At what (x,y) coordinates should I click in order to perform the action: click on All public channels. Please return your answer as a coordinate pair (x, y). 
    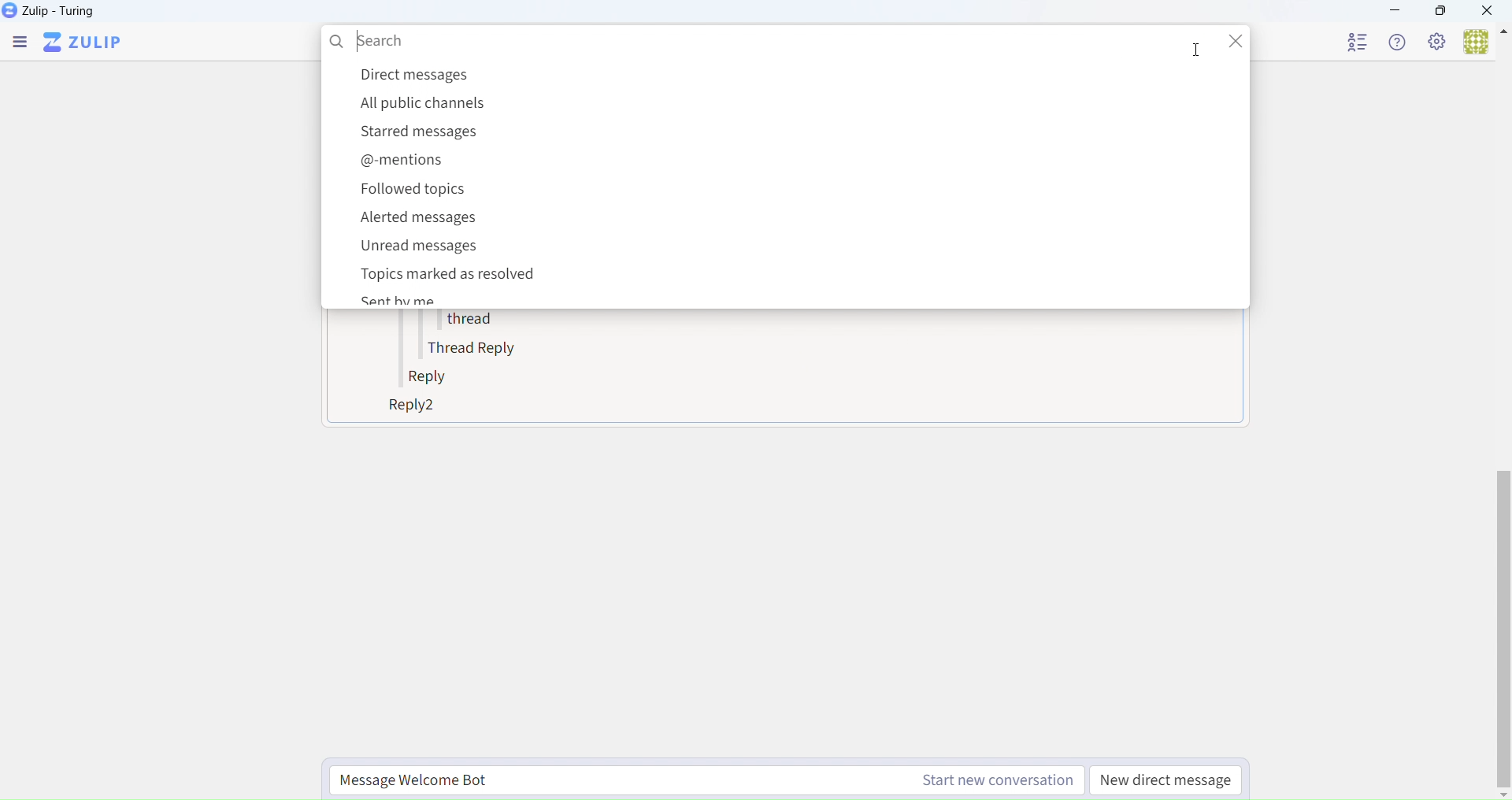
    Looking at the image, I should click on (421, 104).